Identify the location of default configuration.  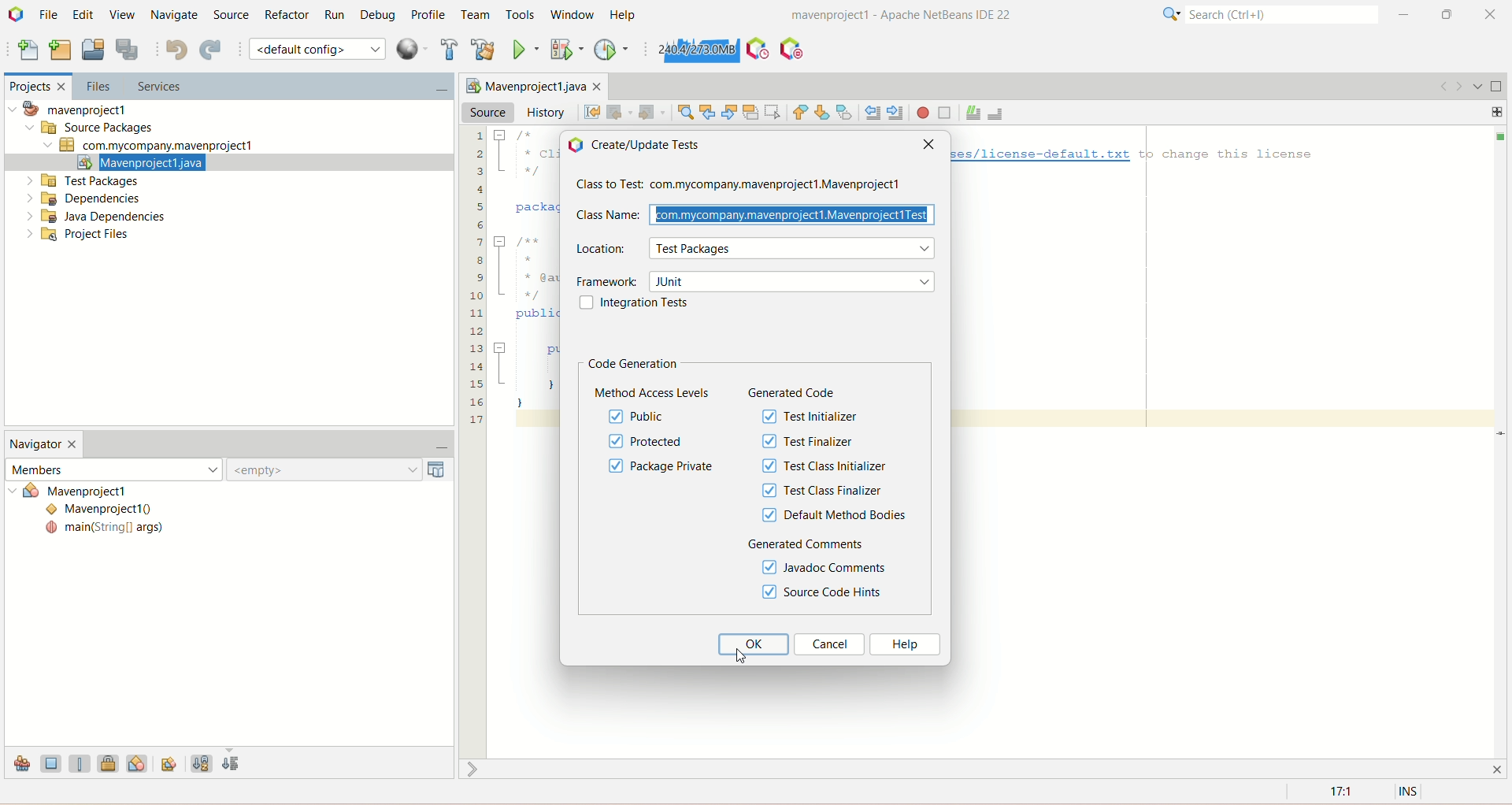
(317, 48).